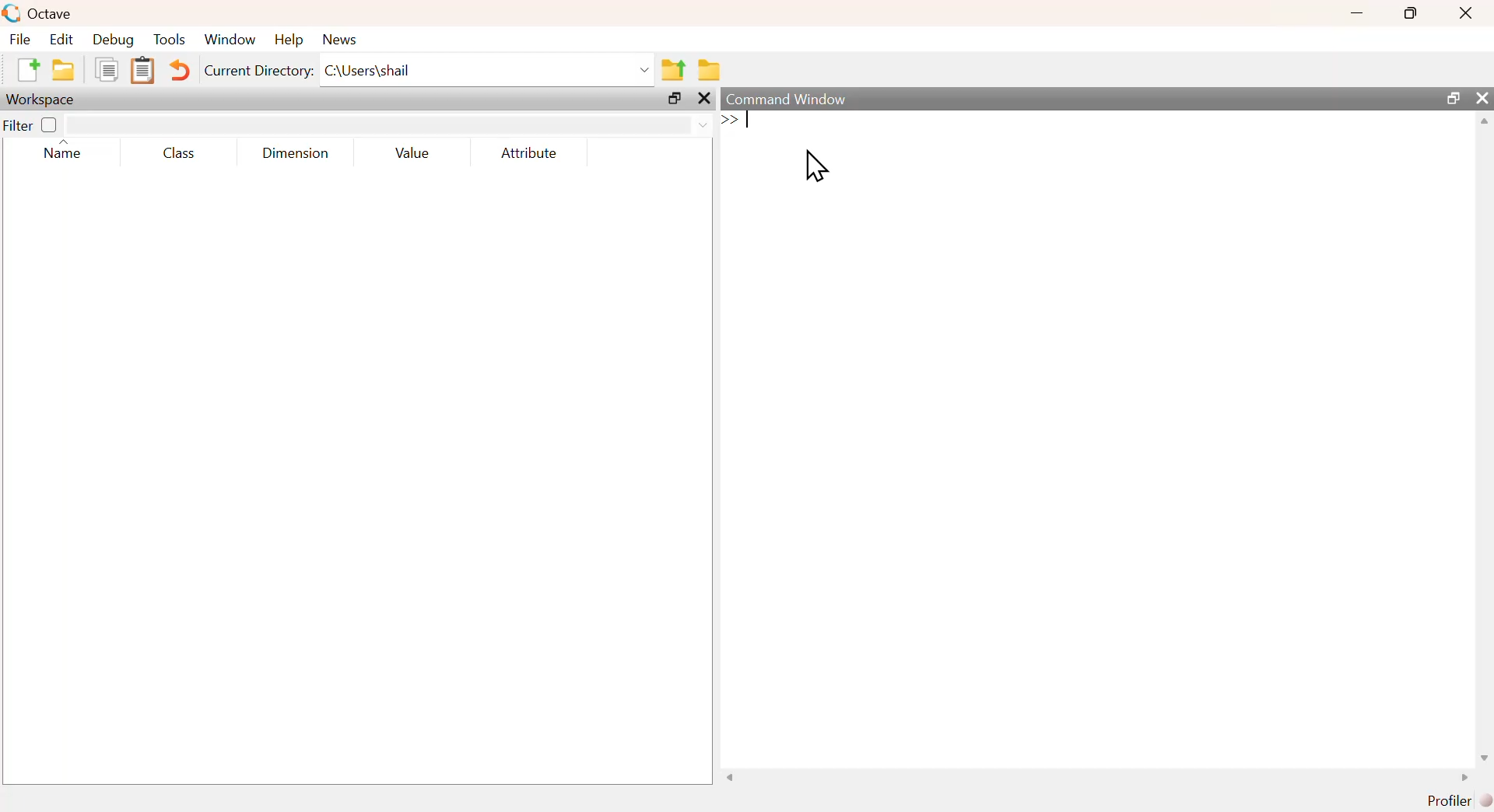 The image size is (1494, 812). What do you see at coordinates (1468, 12) in the screenshot?
I see `close` at bounding box center [1468, 12].